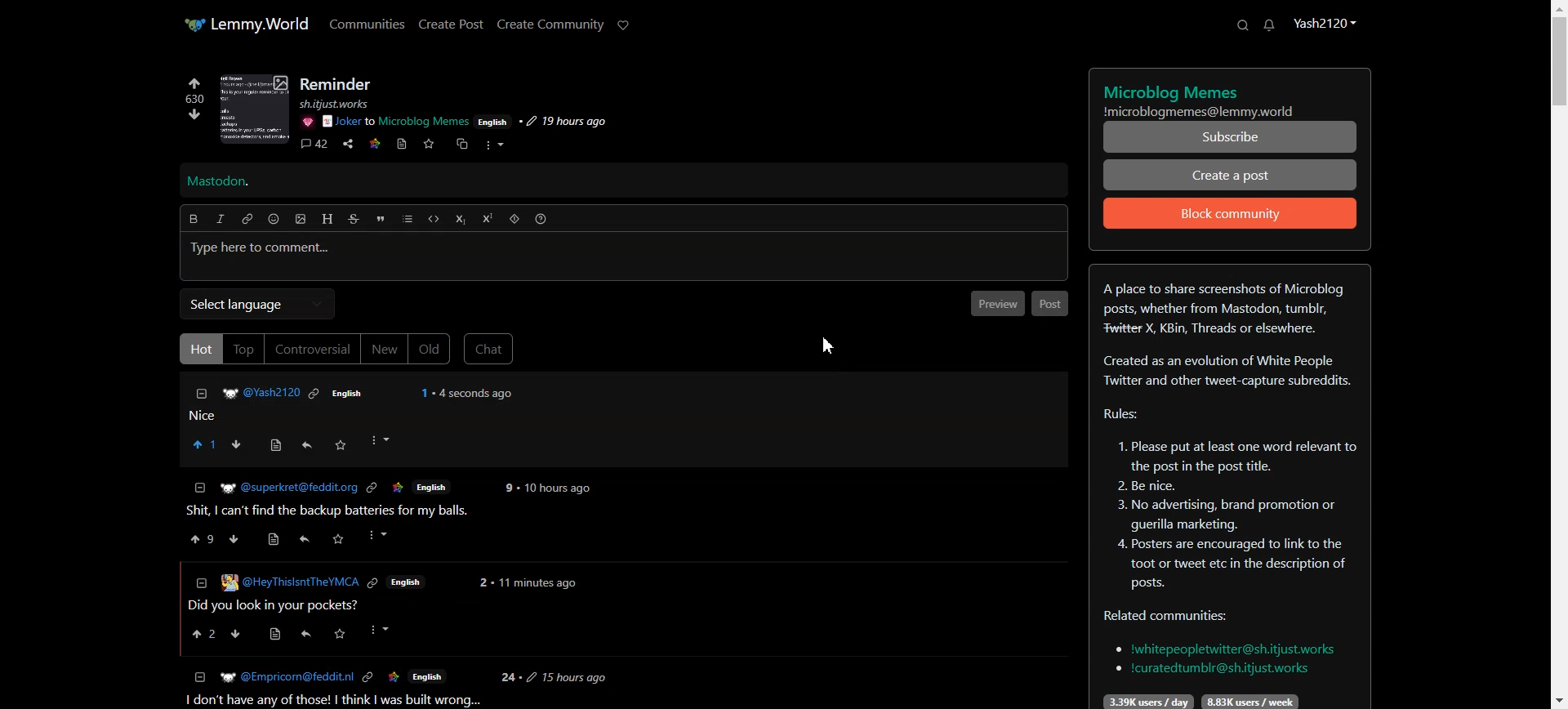 The height and width of the screenshot is (709, 1568). What do you see at coordinates (1229, 487) in the screenshot?
I see `Text` at bounding box center [1229, 487].